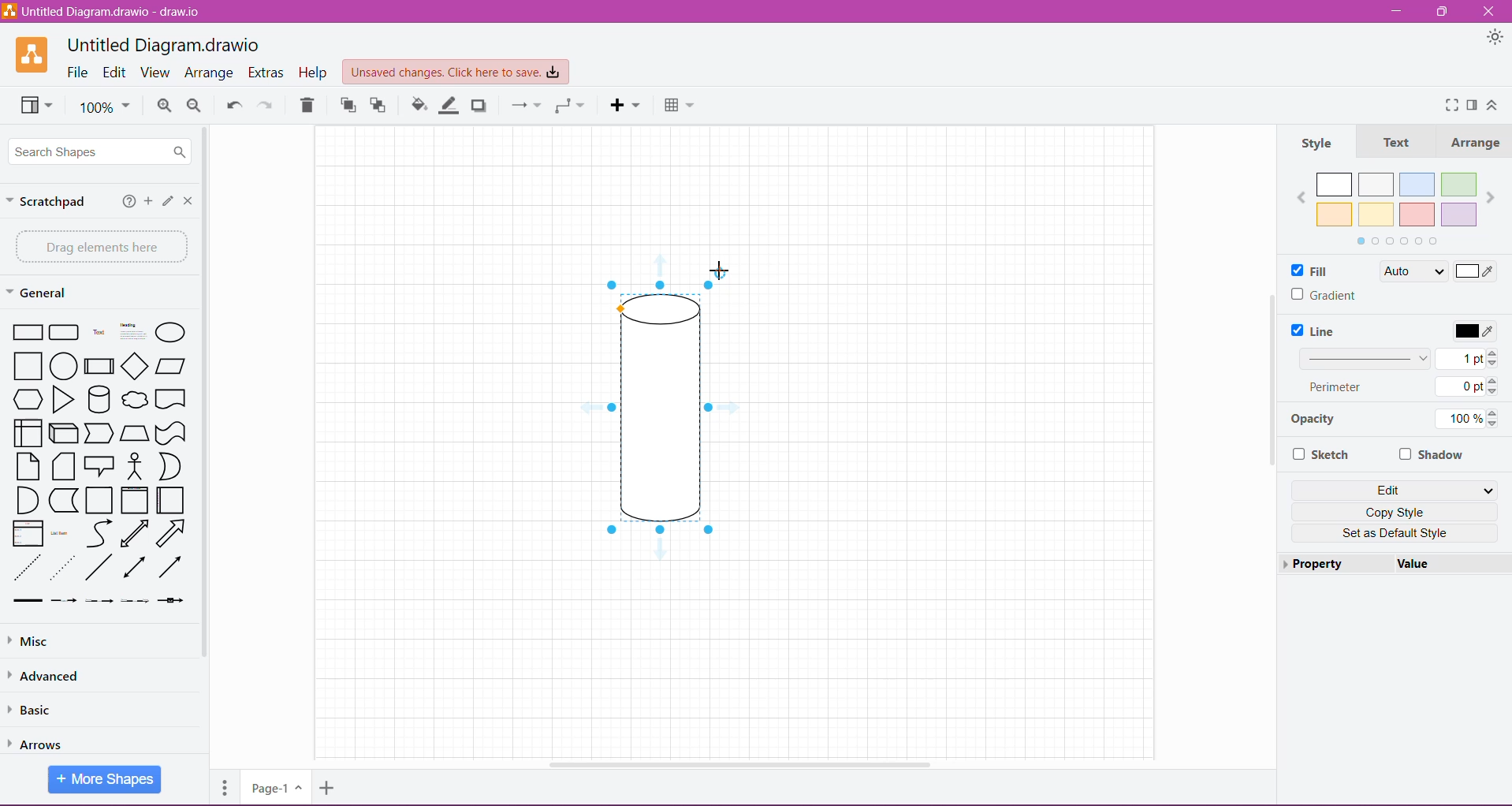 Image resolution: width=1512 pixels, height=806 pixels. Describe the element at coordinates (449, 106) in the screenshot. I see `Line Color` at that location.